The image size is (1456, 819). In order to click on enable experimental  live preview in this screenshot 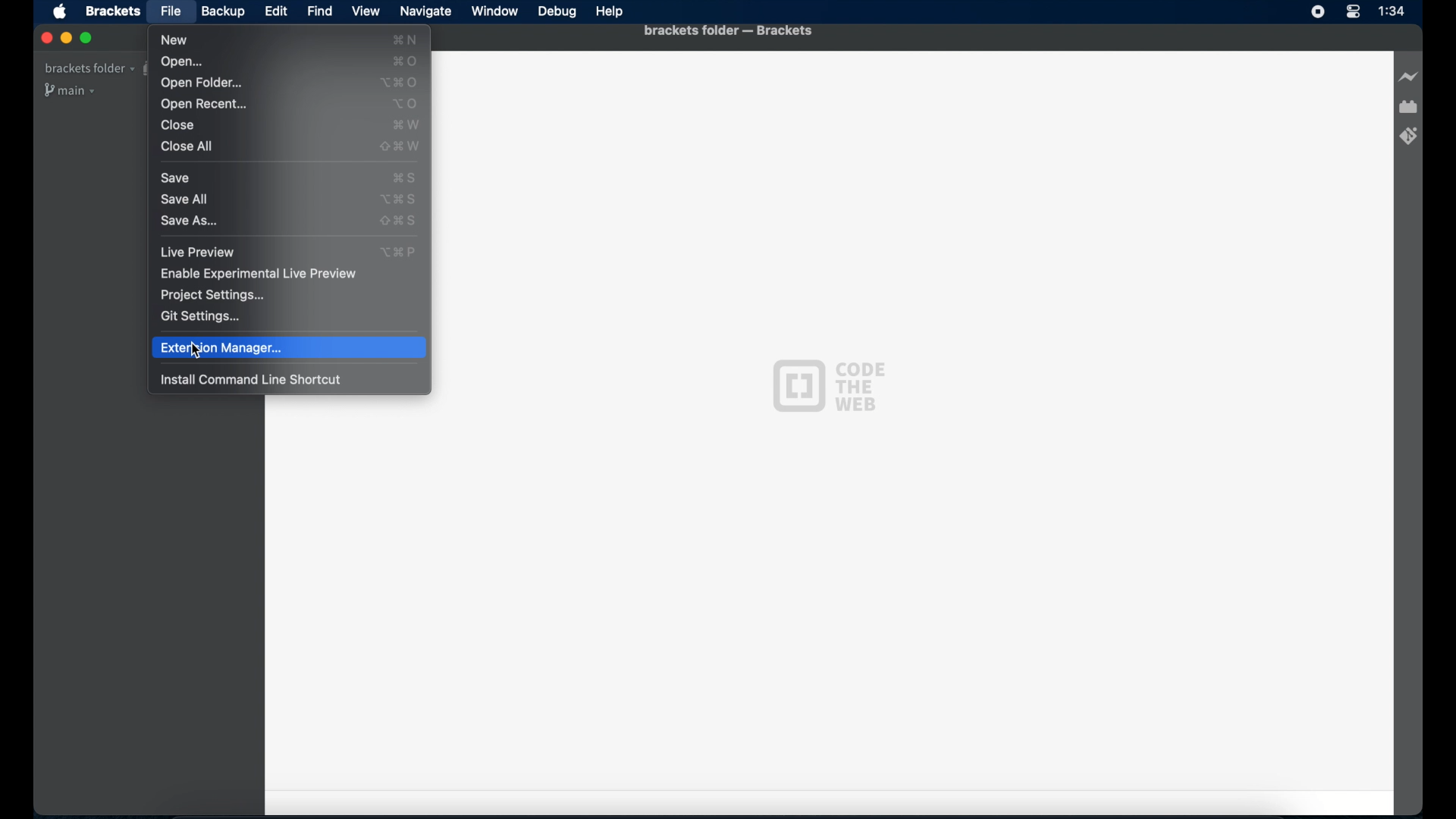, I will do `click(259, 274)`.